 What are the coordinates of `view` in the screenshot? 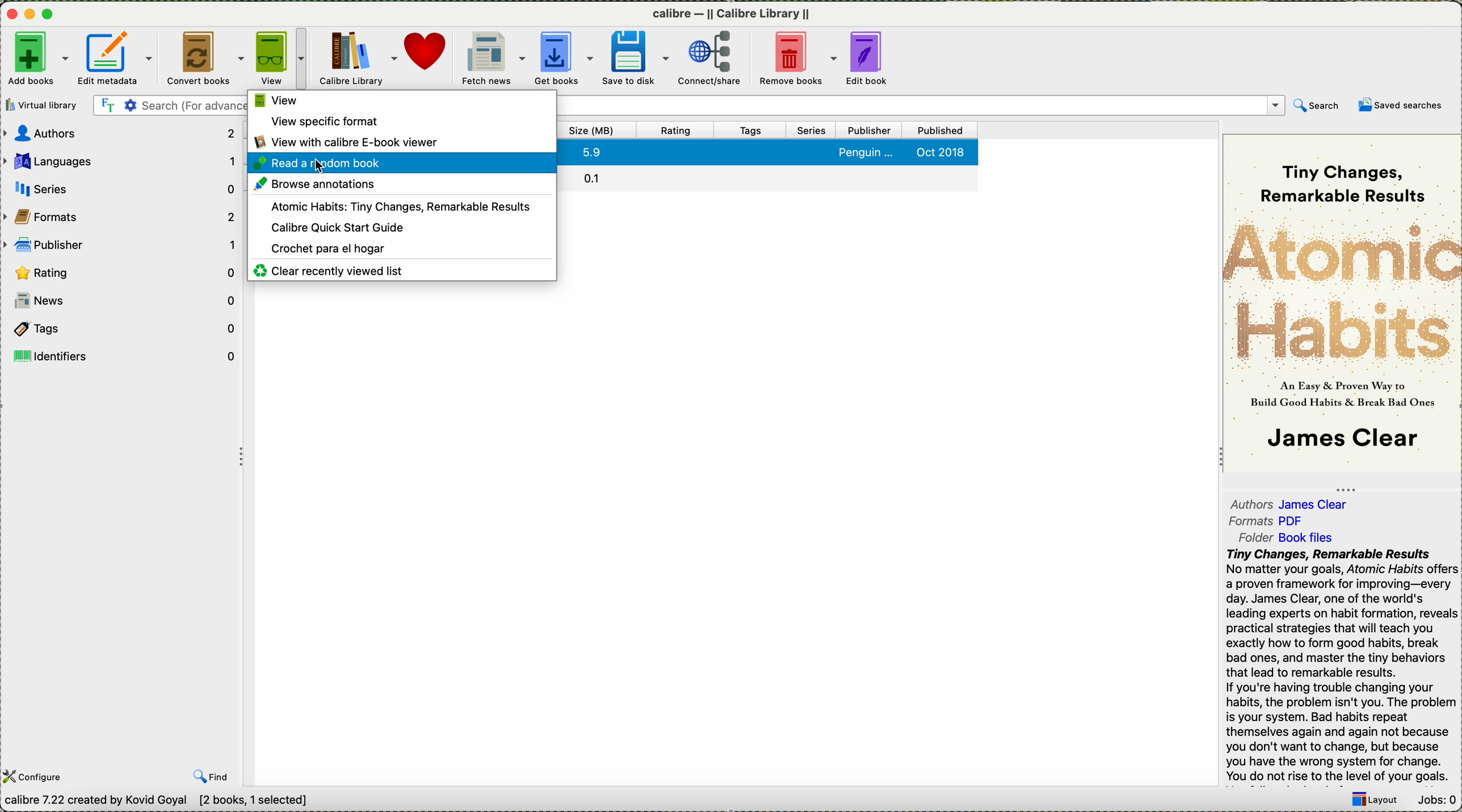 It's located at (274, 101).